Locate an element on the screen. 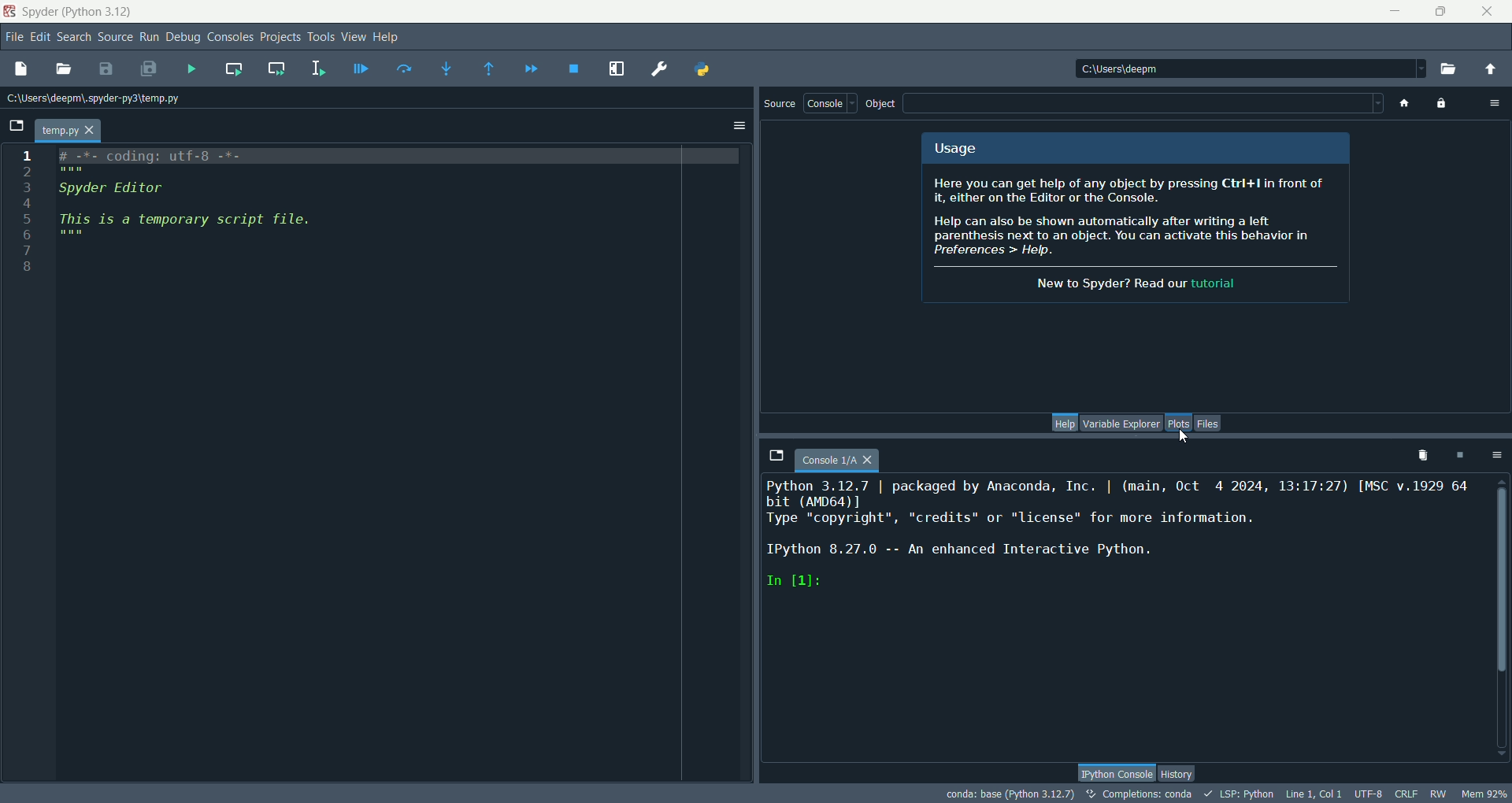 This screenshot has width=1512, height=803. stop debugging is located at coordinates (574, 69).